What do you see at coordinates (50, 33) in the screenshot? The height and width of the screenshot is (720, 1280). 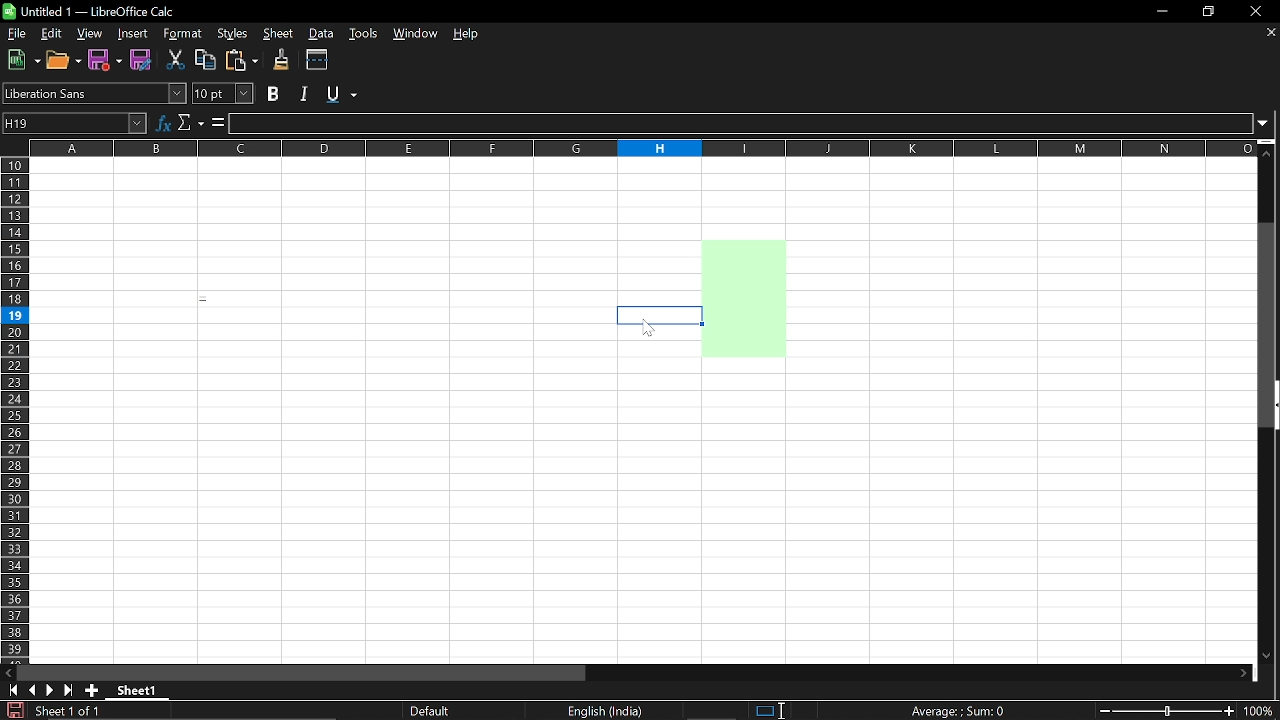 I see `Edit` at bounding box center [50, 33].